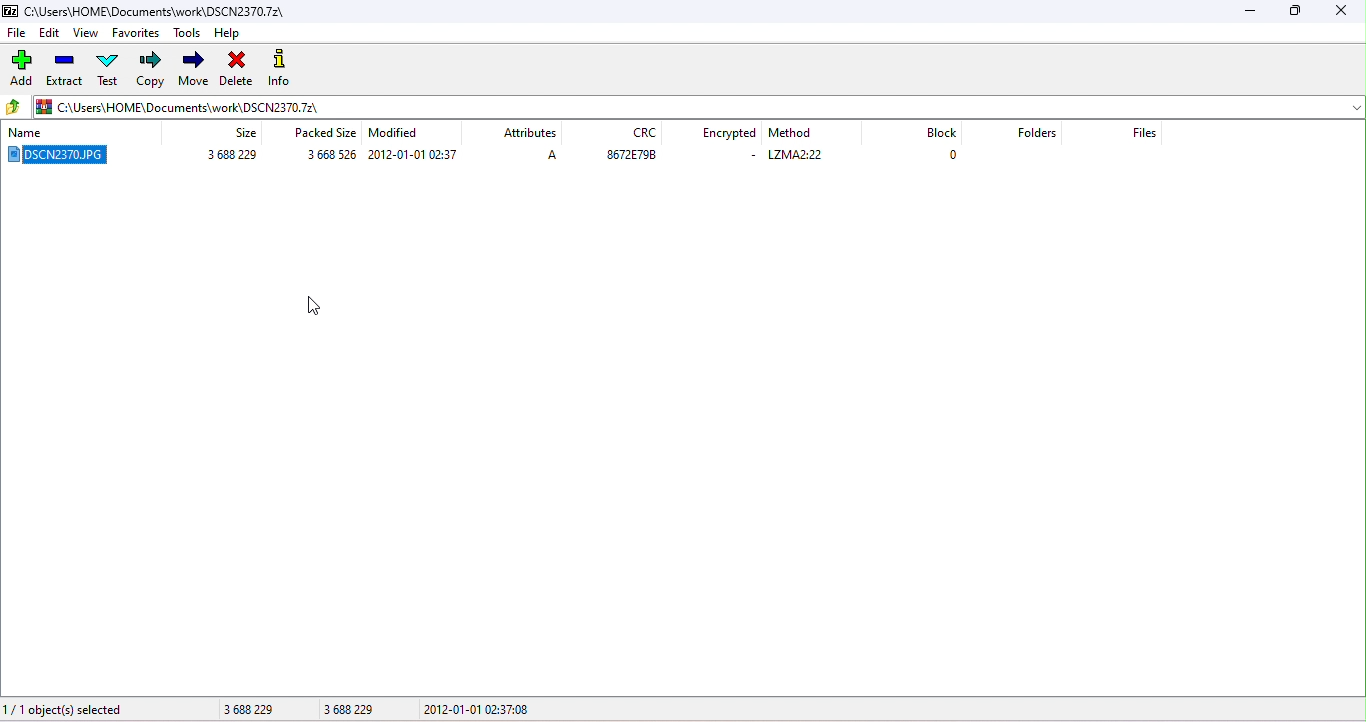  I want to click on edit, so click(50, 33).